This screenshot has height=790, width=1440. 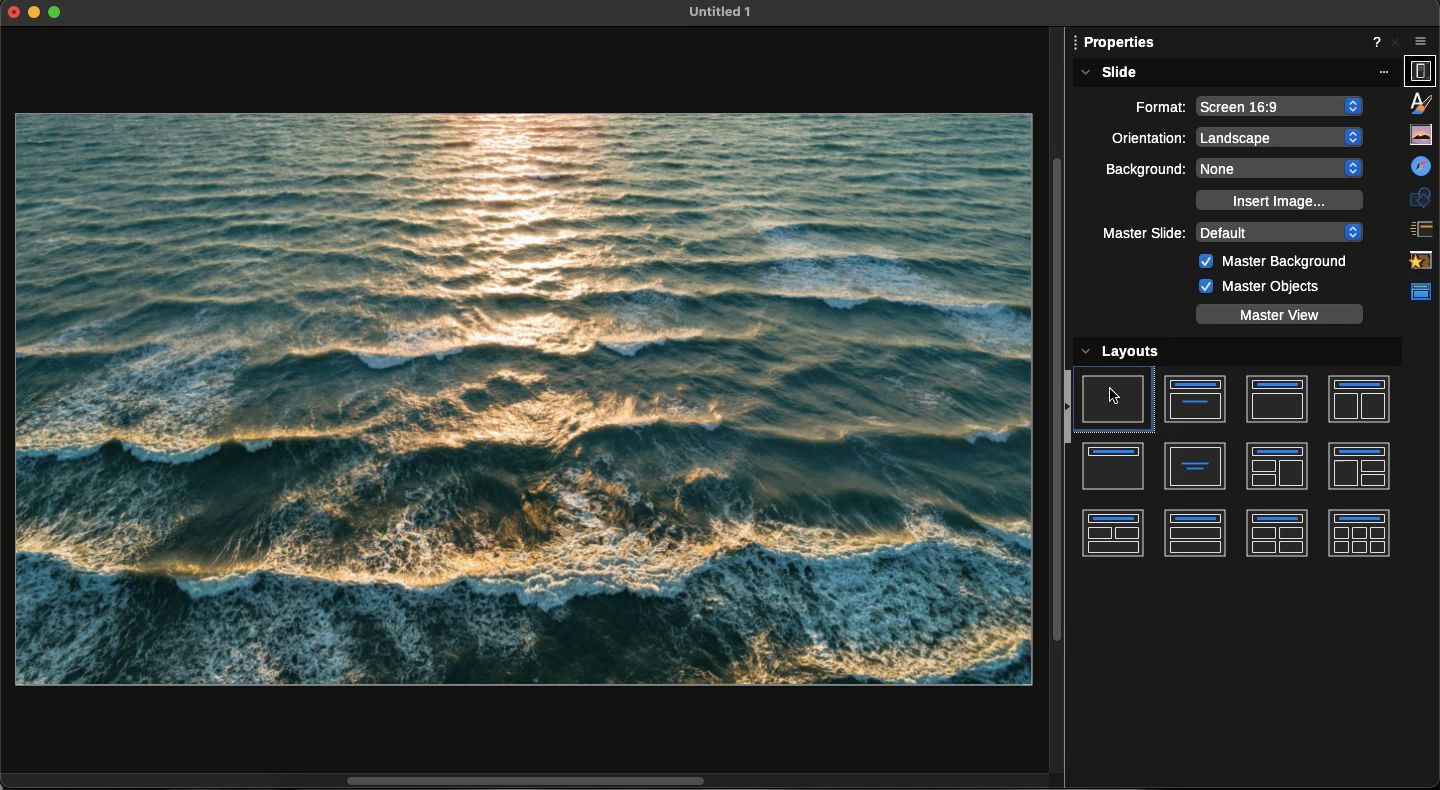 I want to click on Master objects, so click(x=1258, y=287).